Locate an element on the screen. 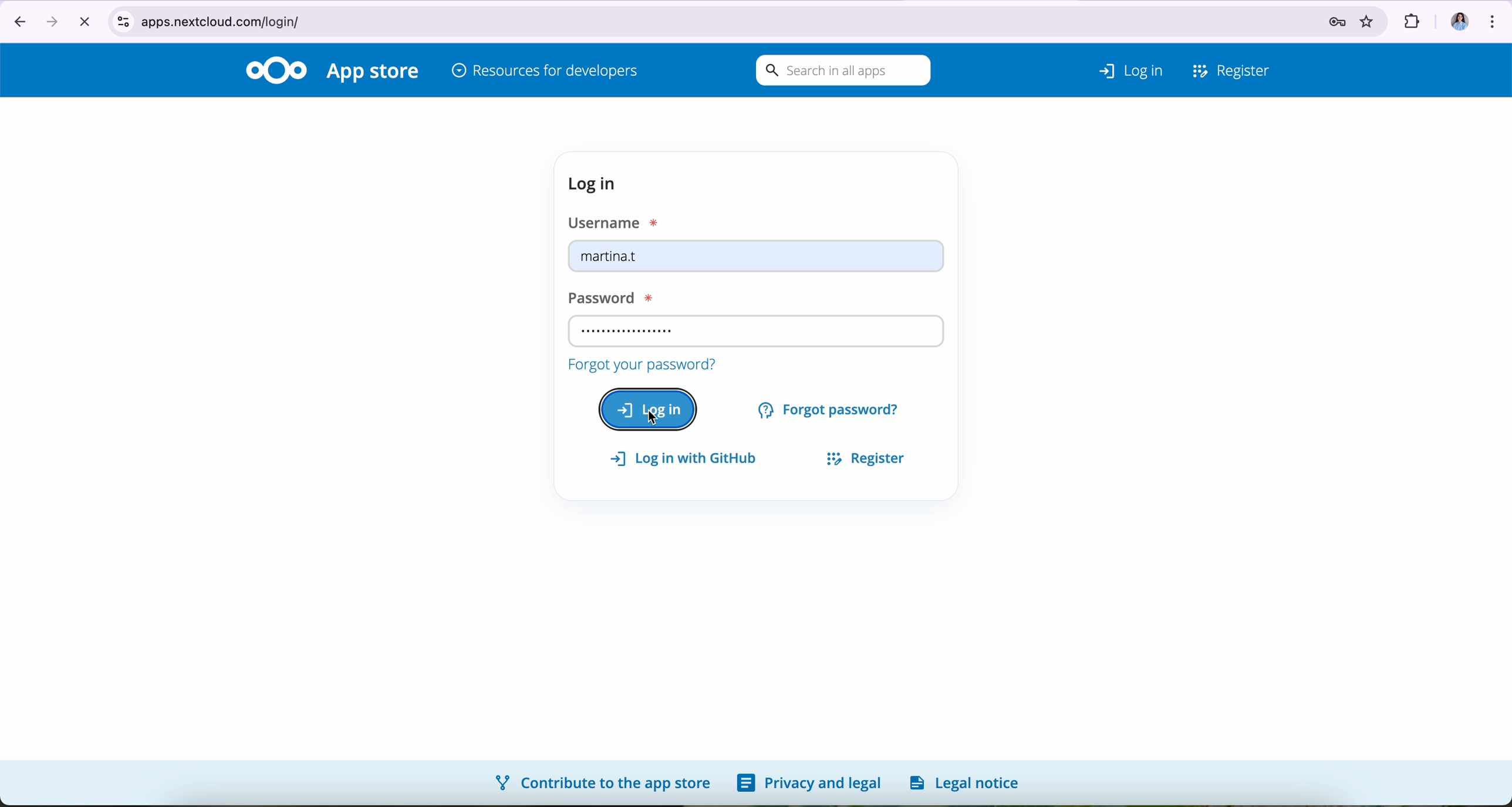 The width and height of the screenshot is (1512, 807). apps.nextcloud.com is located at coordinates (668, 19).